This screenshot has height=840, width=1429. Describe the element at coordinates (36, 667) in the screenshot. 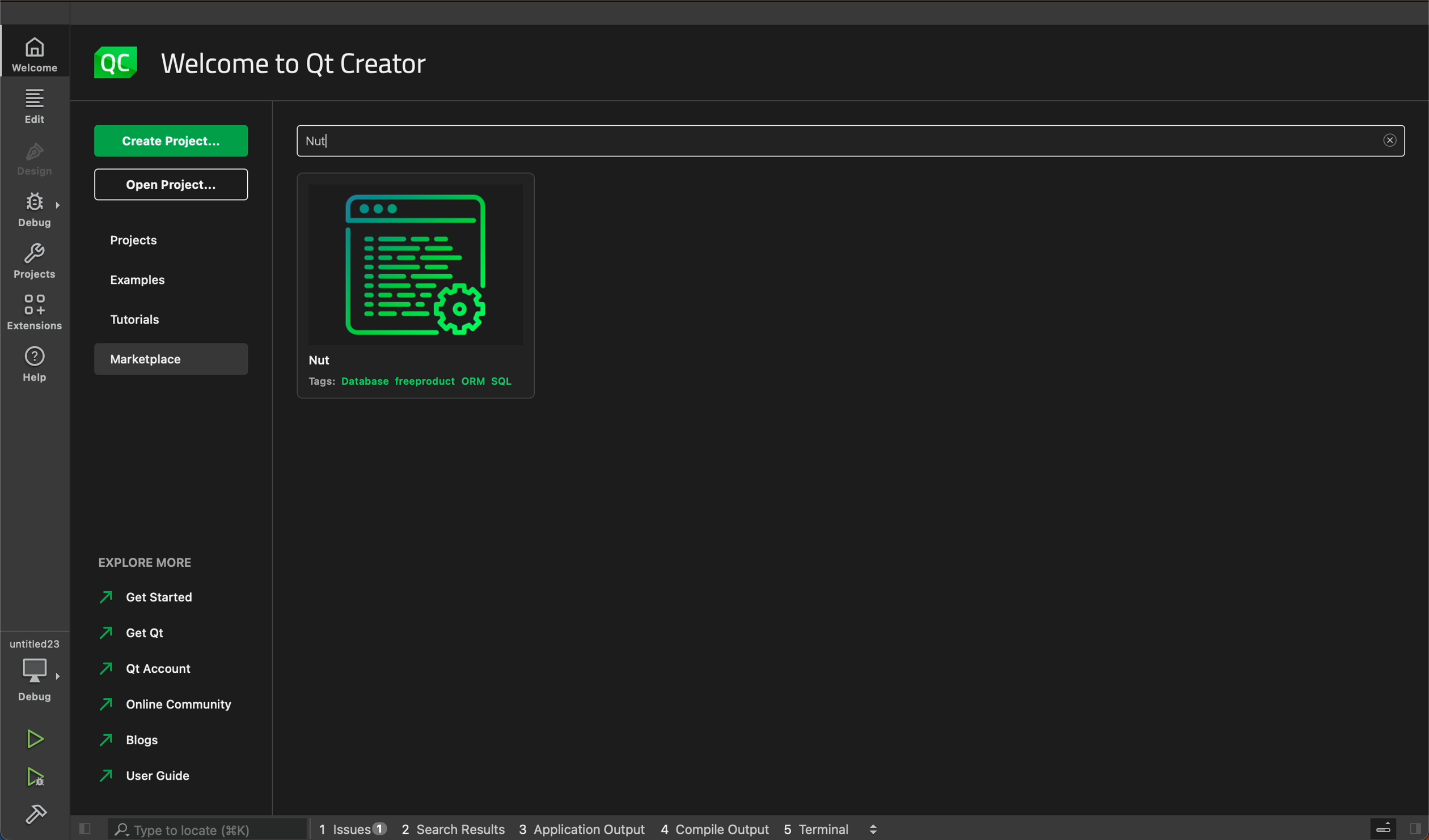

I see `debug` at that location.